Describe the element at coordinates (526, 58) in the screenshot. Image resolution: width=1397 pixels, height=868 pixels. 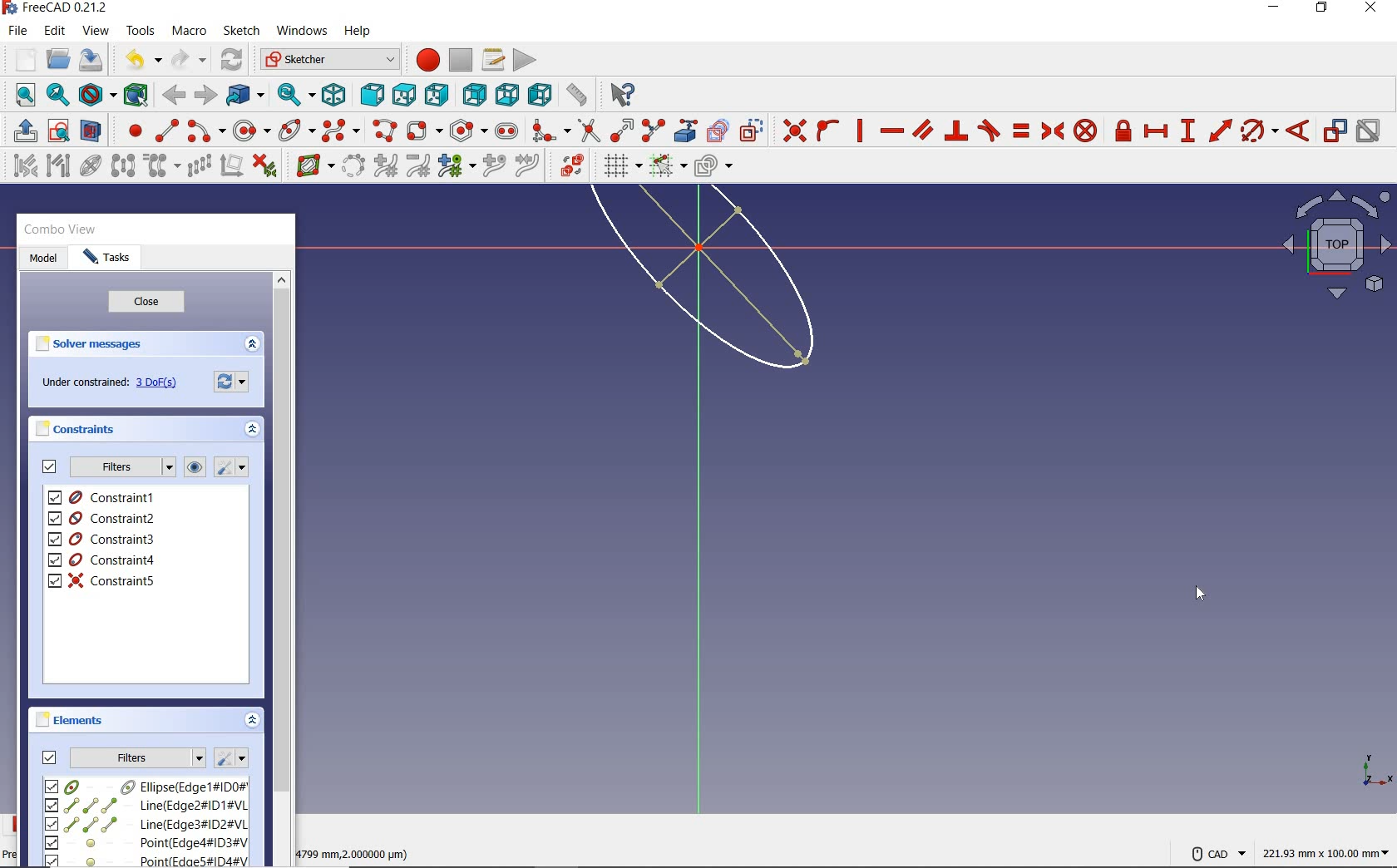
I see `execute macro` at that location.